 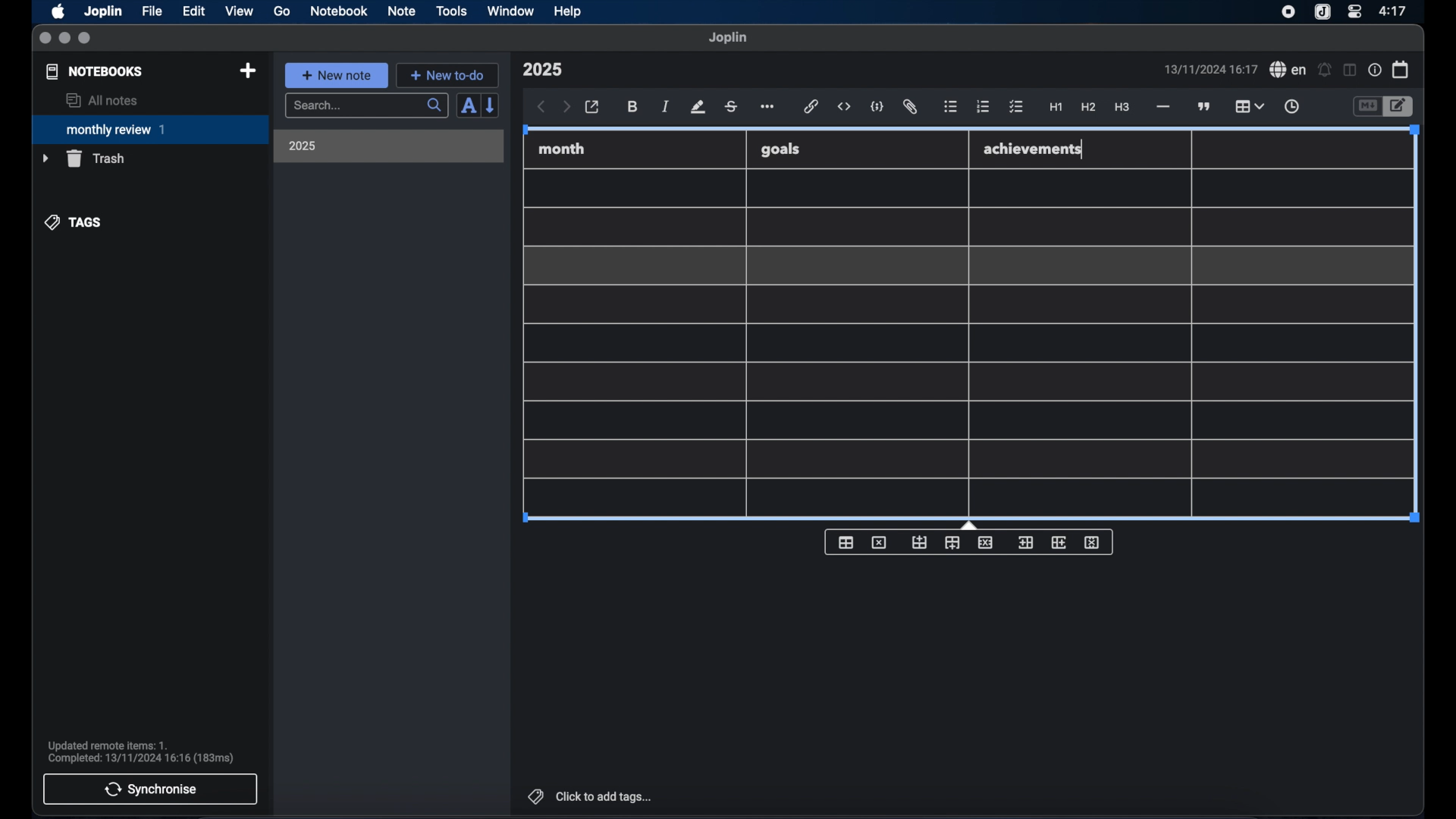 What do you see at coordinates (569, 11) in the screenshot?
I see `help` at bounding box center [569, 11].